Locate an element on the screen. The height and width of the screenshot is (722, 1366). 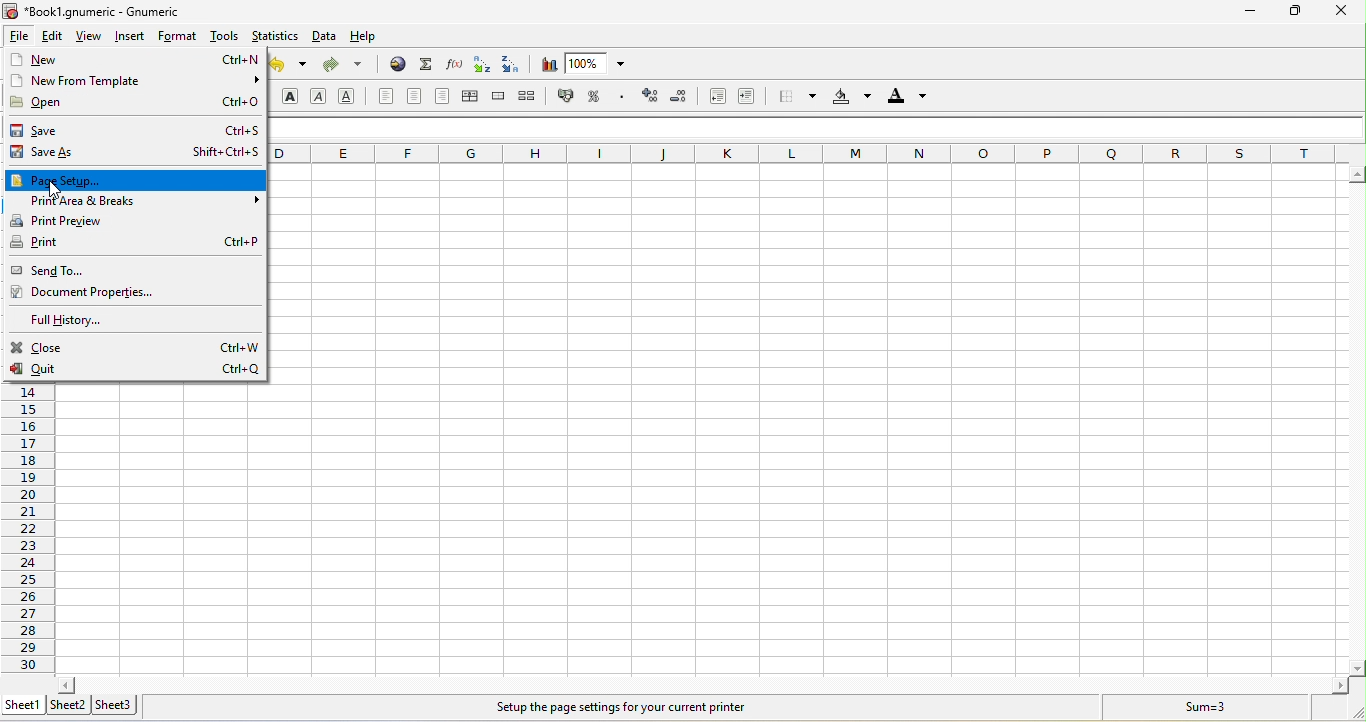
document properties is located at coordinates (121, 294).